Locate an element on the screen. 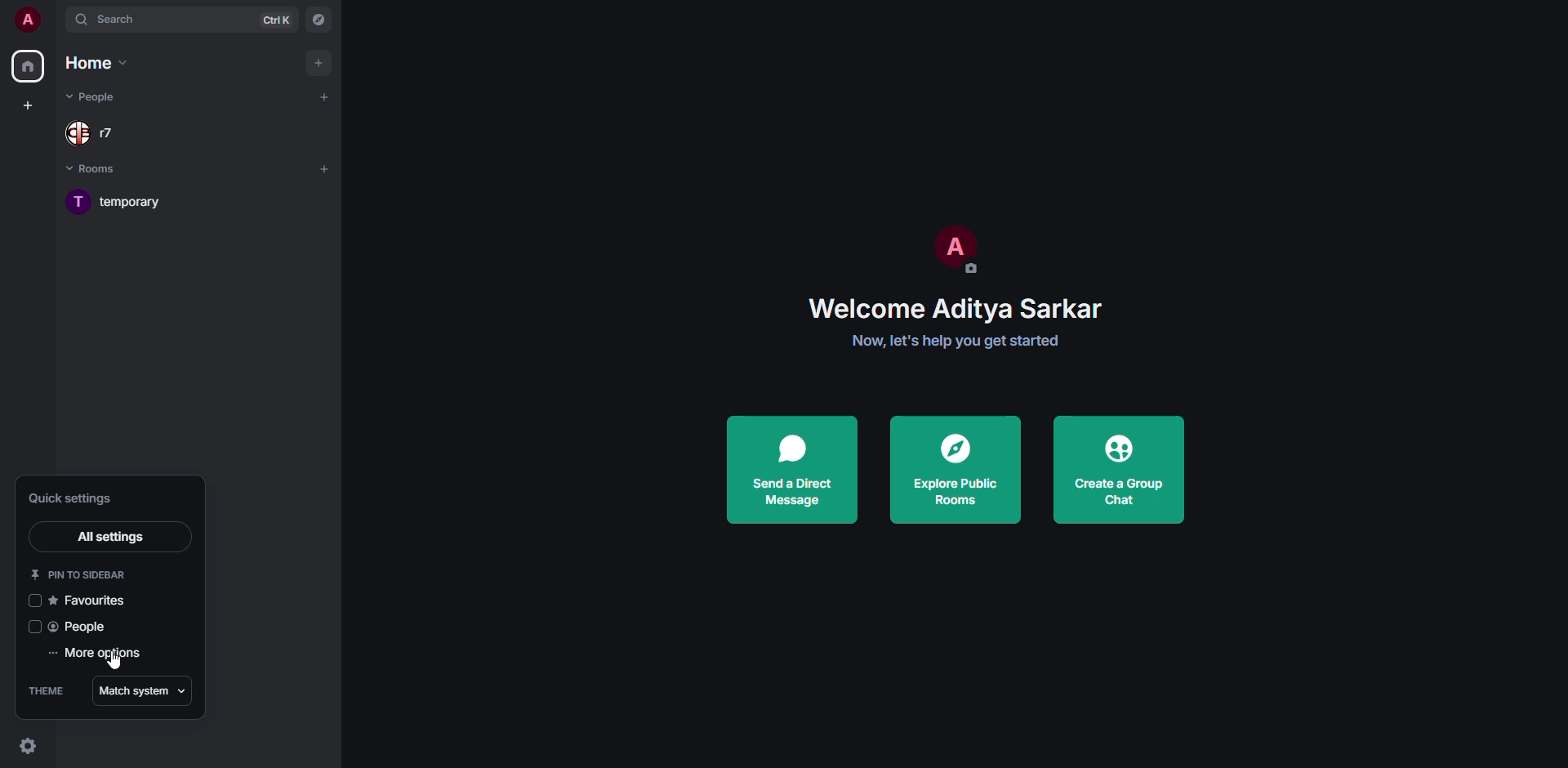  theme is located at coordinates (47, 690).